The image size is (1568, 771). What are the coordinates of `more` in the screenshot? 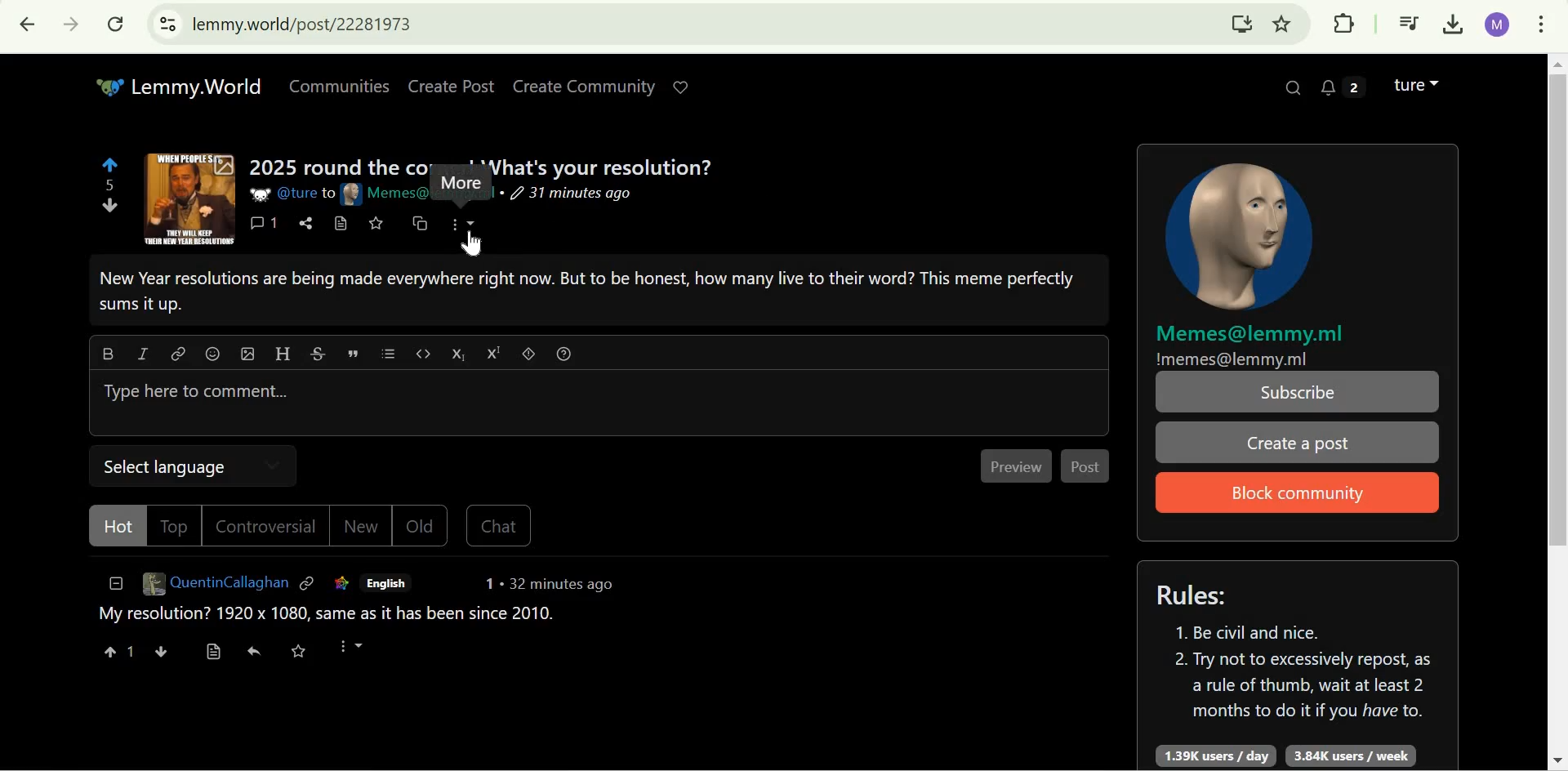 It's located at (459, 223).